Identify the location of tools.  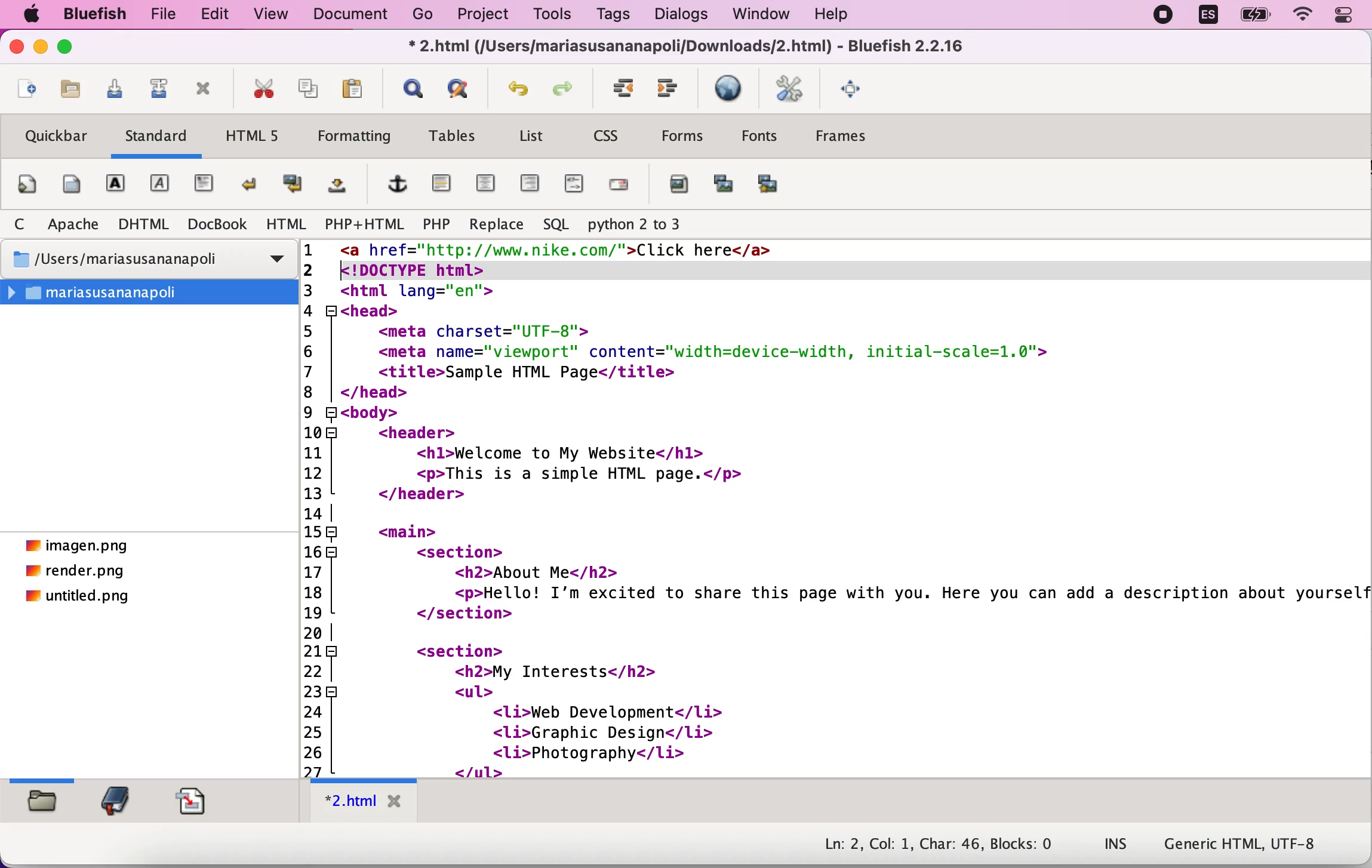
(556, 13).